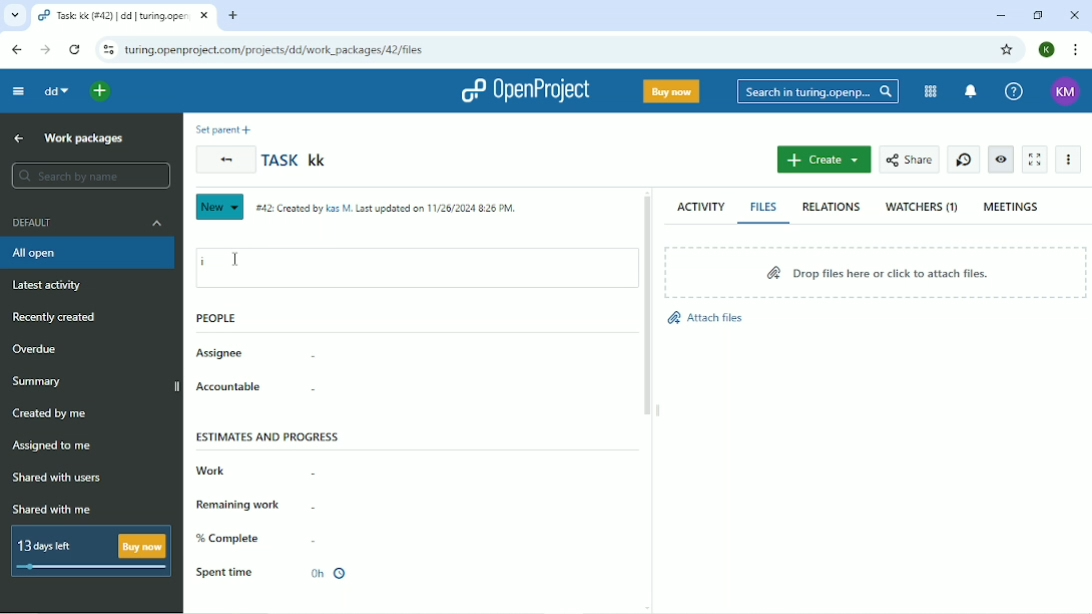  I want to click on Search by name, so click(90, 175).